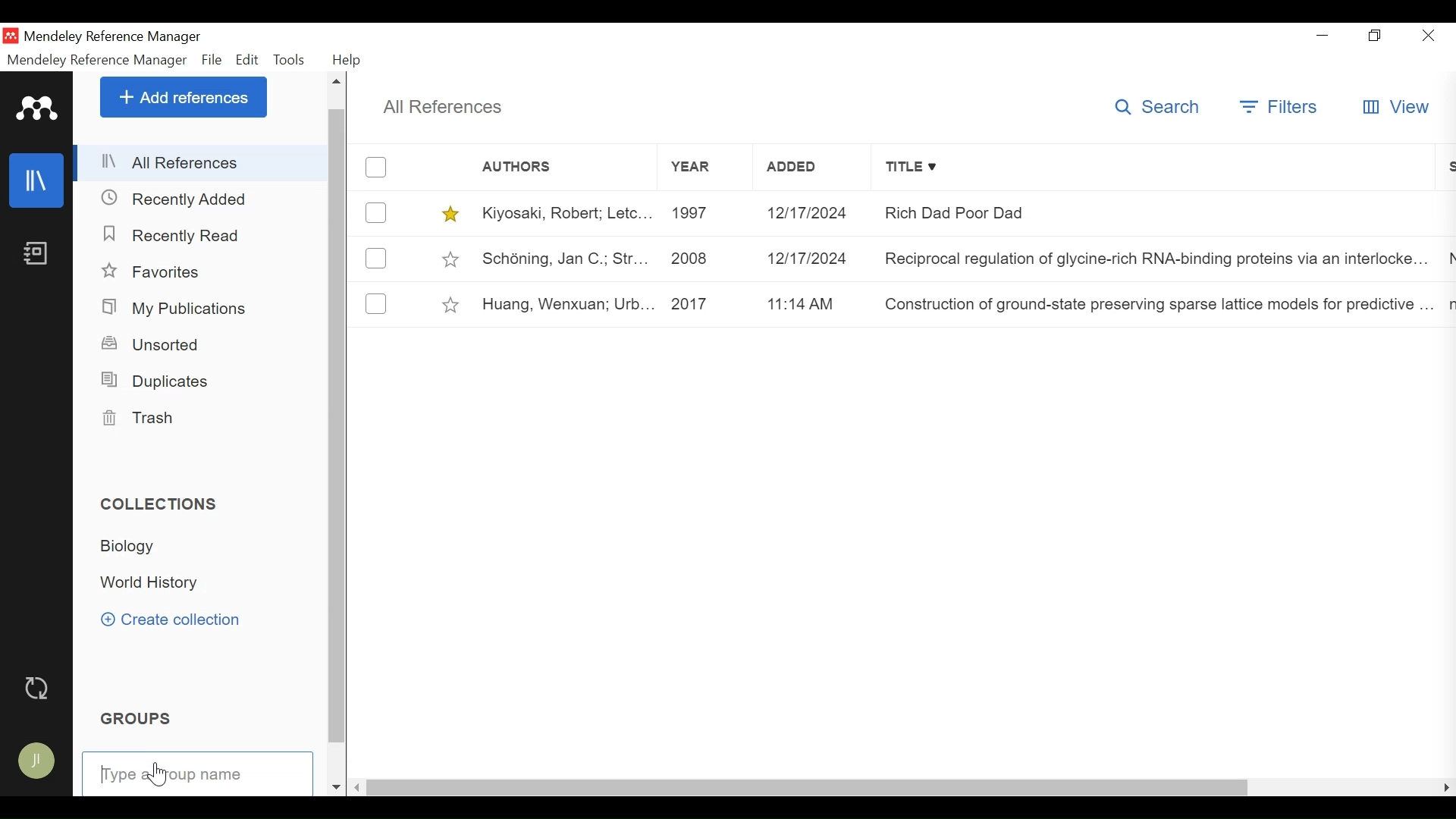 The image size is (1456, 819). Describe the element at coordinates (1375, 35) in the screenshot. I see `Restore` at that location.